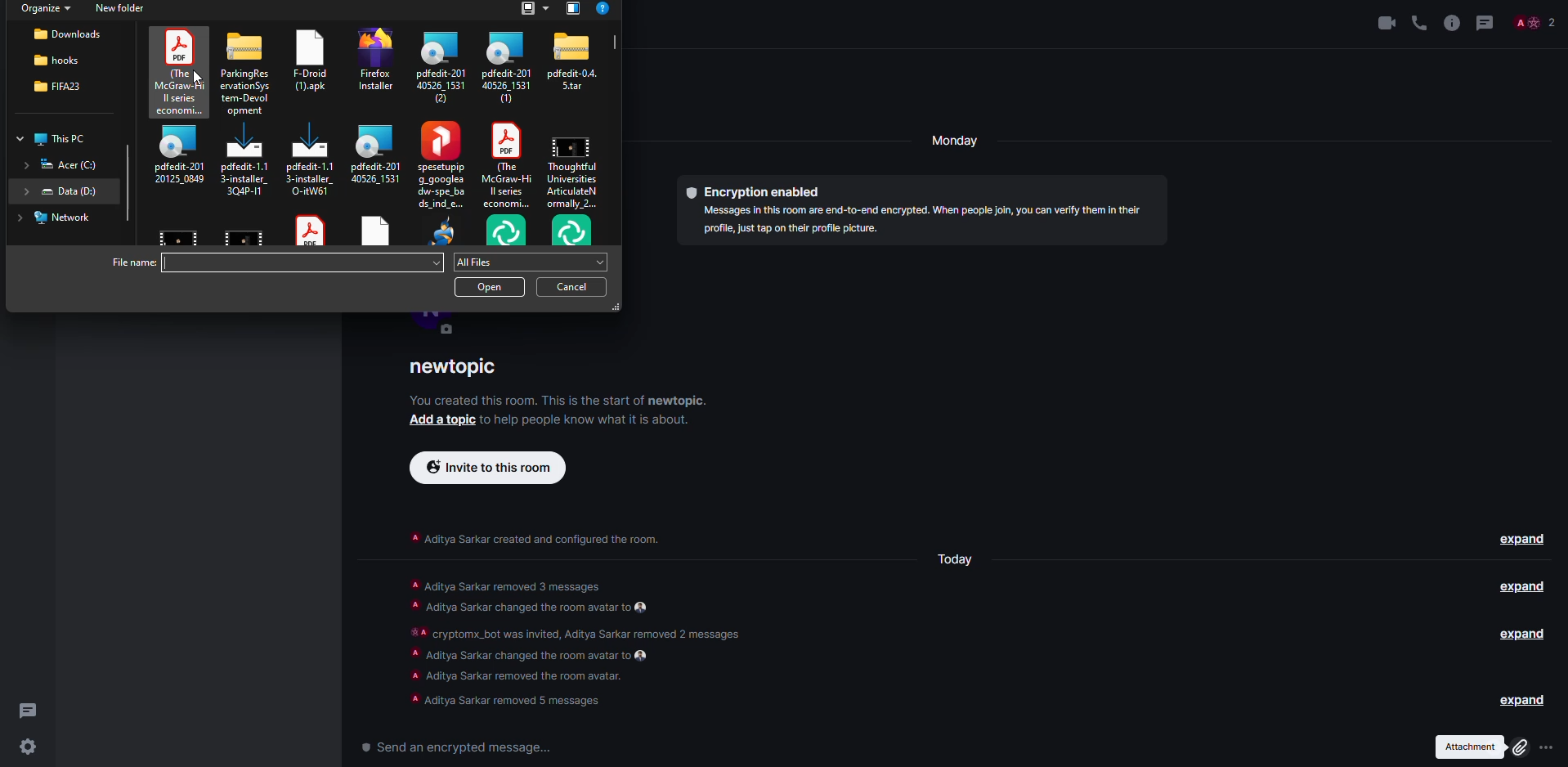  I want to click on file, so click(249, 164).